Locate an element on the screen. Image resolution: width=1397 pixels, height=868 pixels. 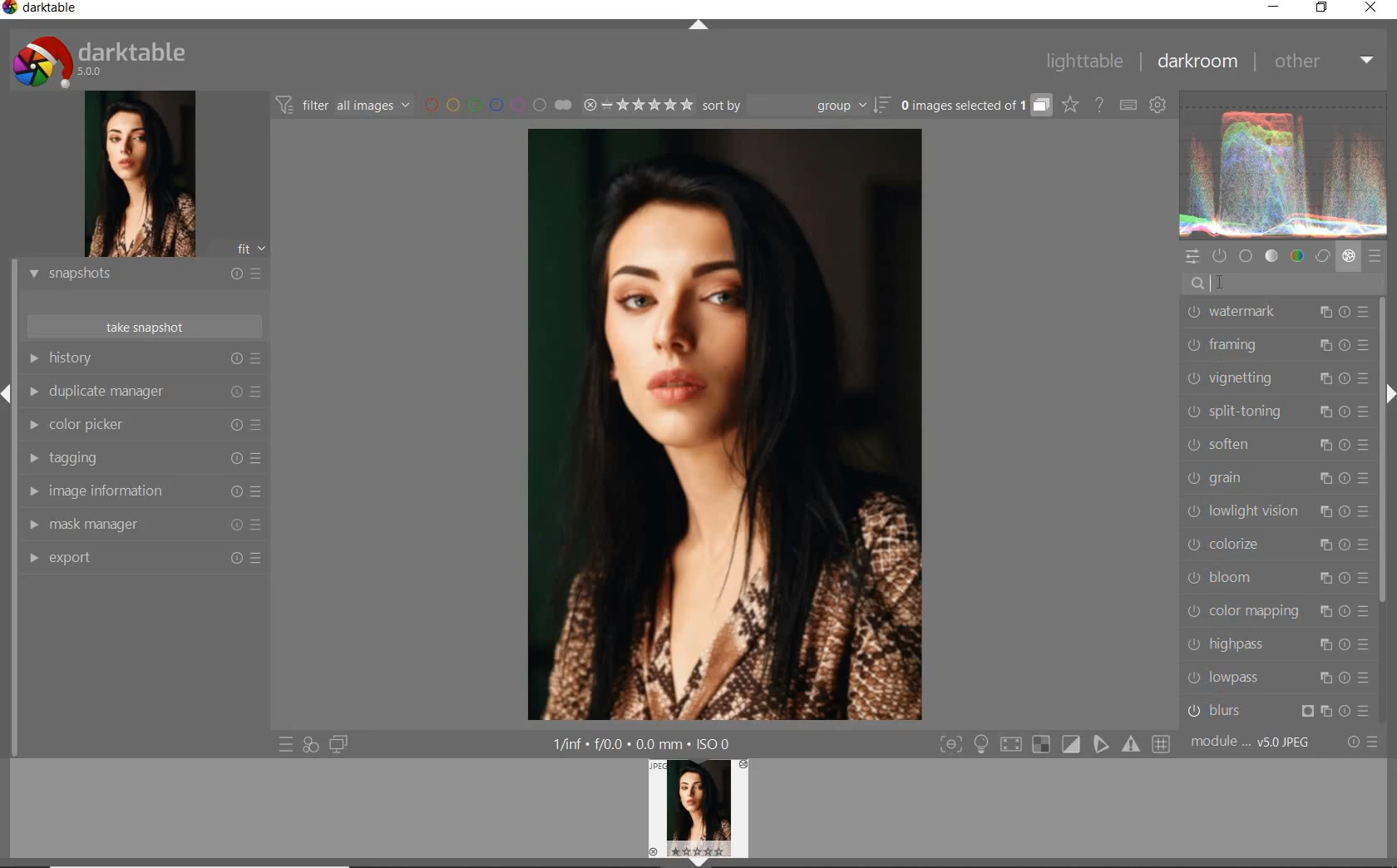
tone is located at coordinates (1271, 256).